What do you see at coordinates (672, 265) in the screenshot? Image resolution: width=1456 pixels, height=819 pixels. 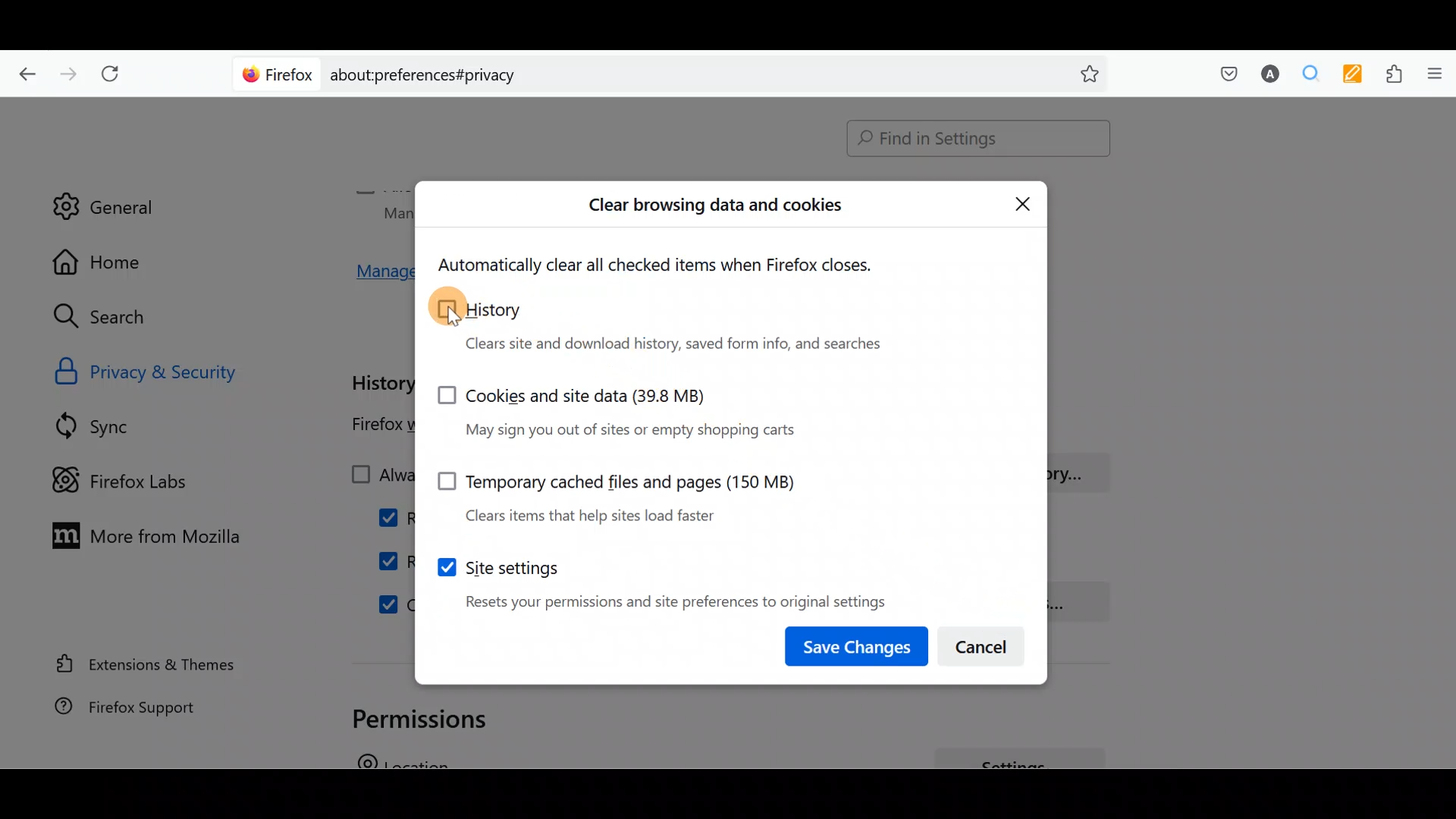 I see `Automatically clear all checked items when Firefox closes` at bounding box center [672, 265].